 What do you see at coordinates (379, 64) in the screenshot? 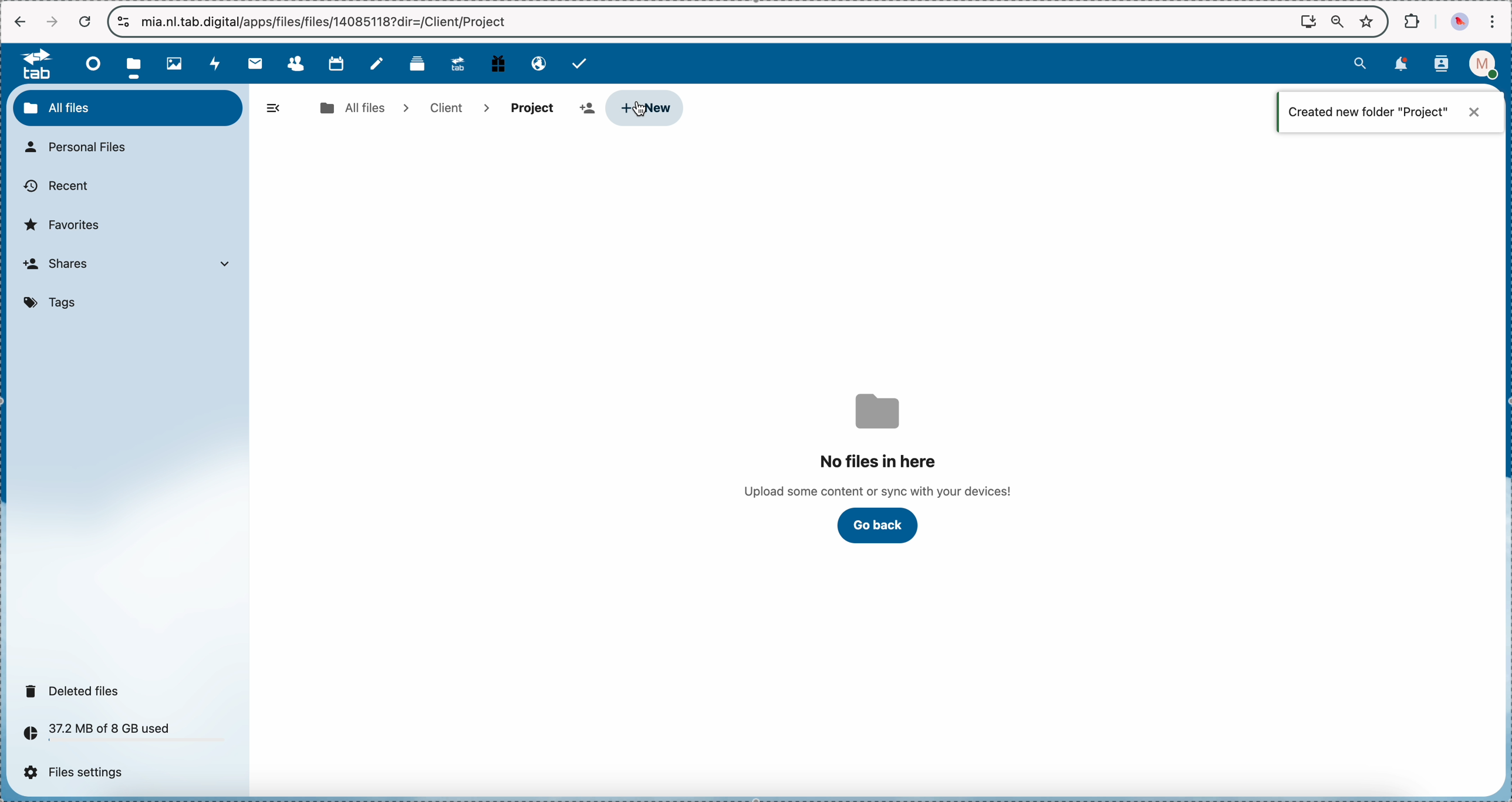
I see `notes` at bounding box center [379, 64].